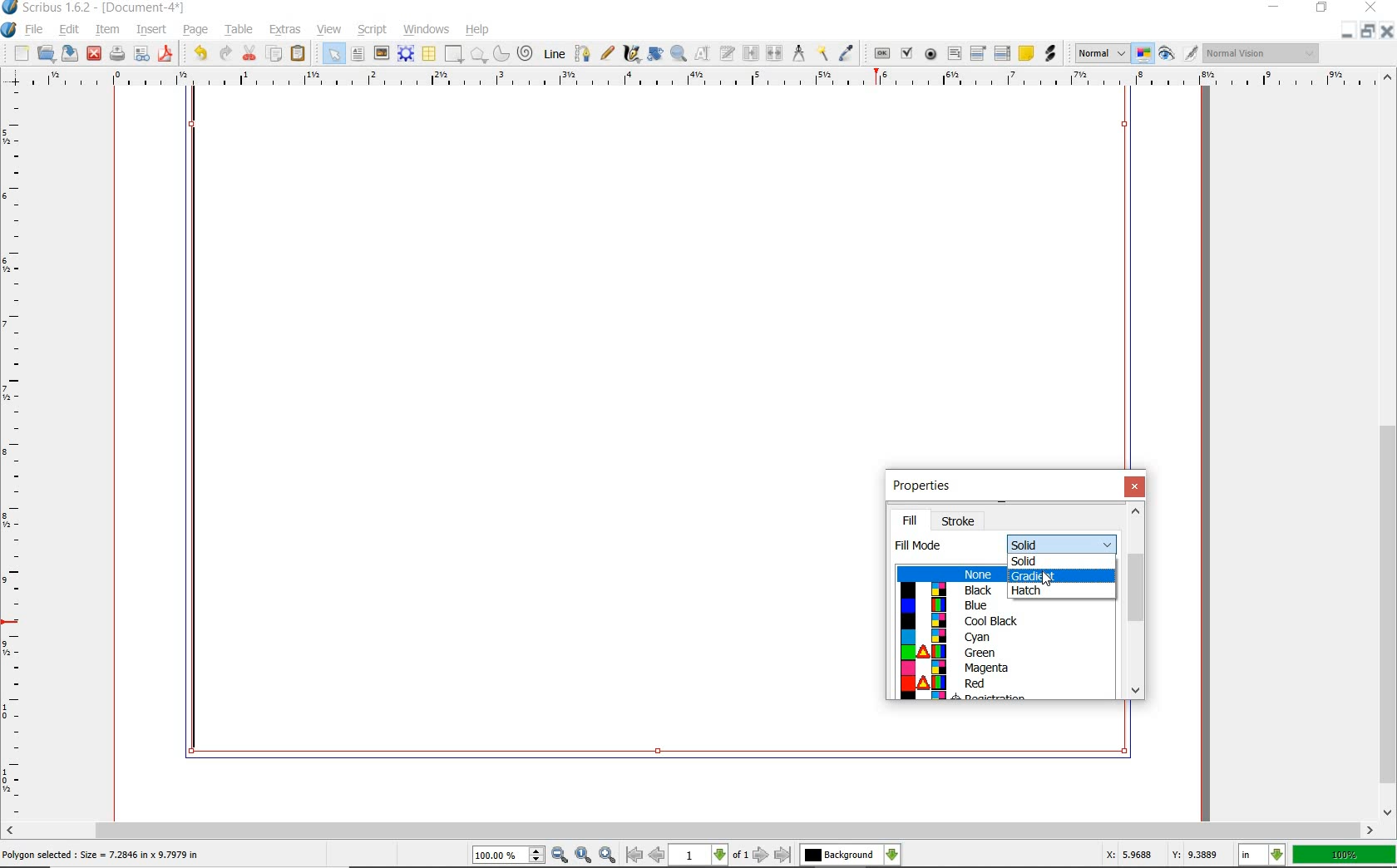 The image size is (1397, 868). Describe the element at coordinates (950, 575) in the screenshot. I see `none` at that location.